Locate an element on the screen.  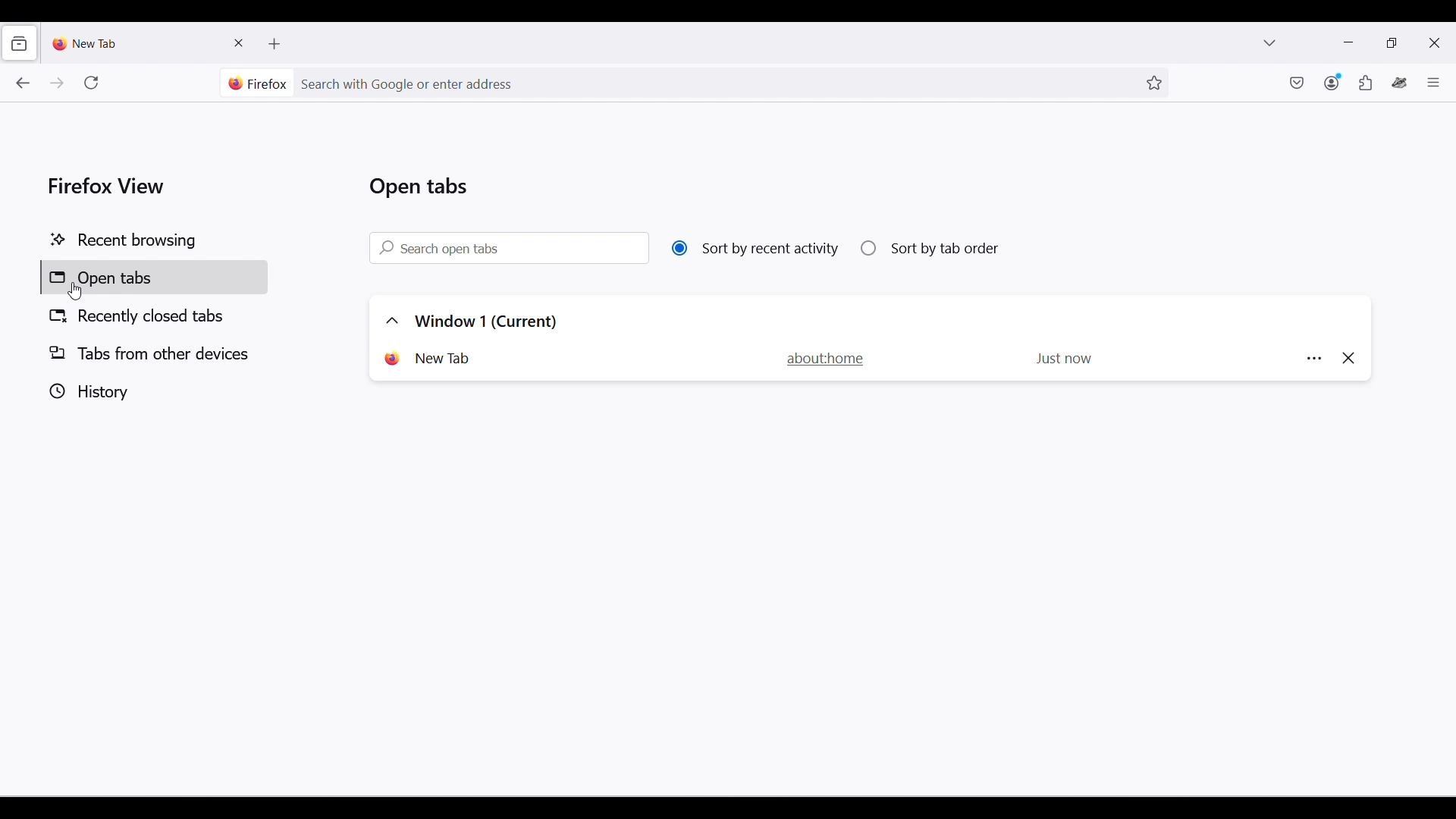
 is located at coordinates (1347, 359).